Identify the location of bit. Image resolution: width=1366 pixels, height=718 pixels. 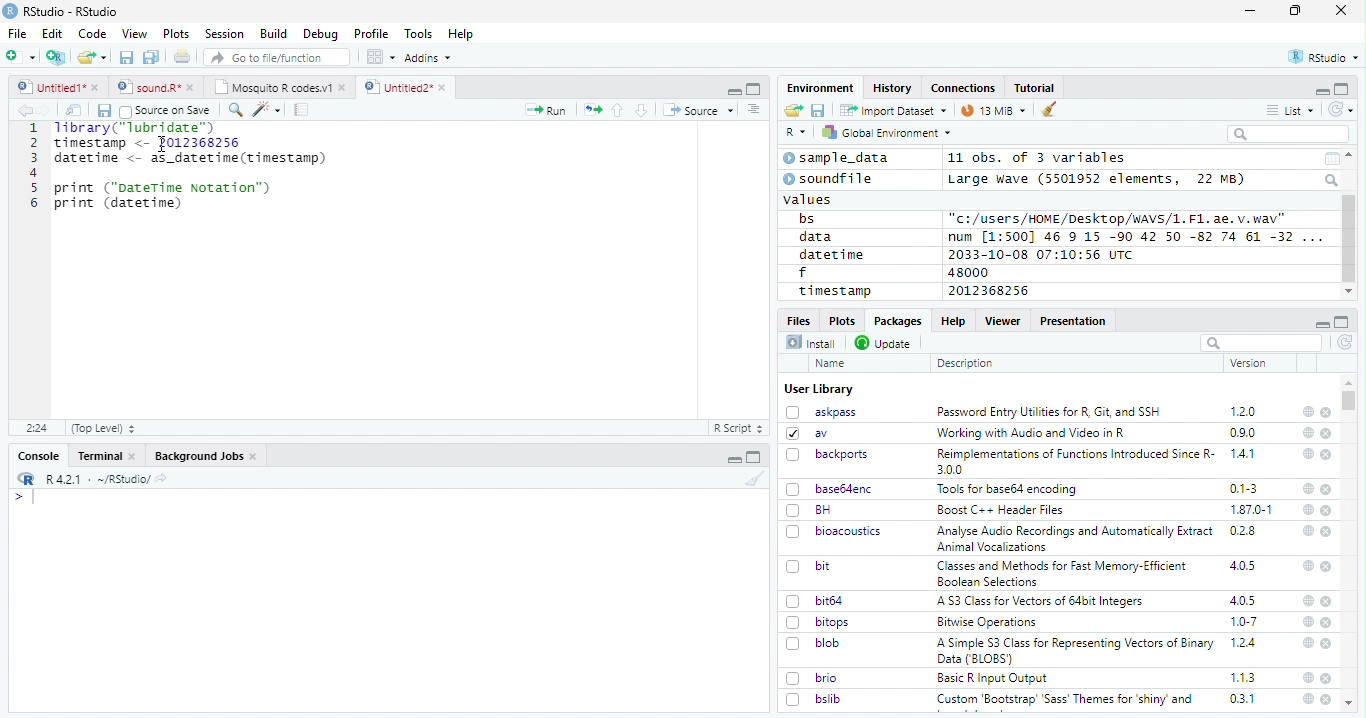
(809, 567).